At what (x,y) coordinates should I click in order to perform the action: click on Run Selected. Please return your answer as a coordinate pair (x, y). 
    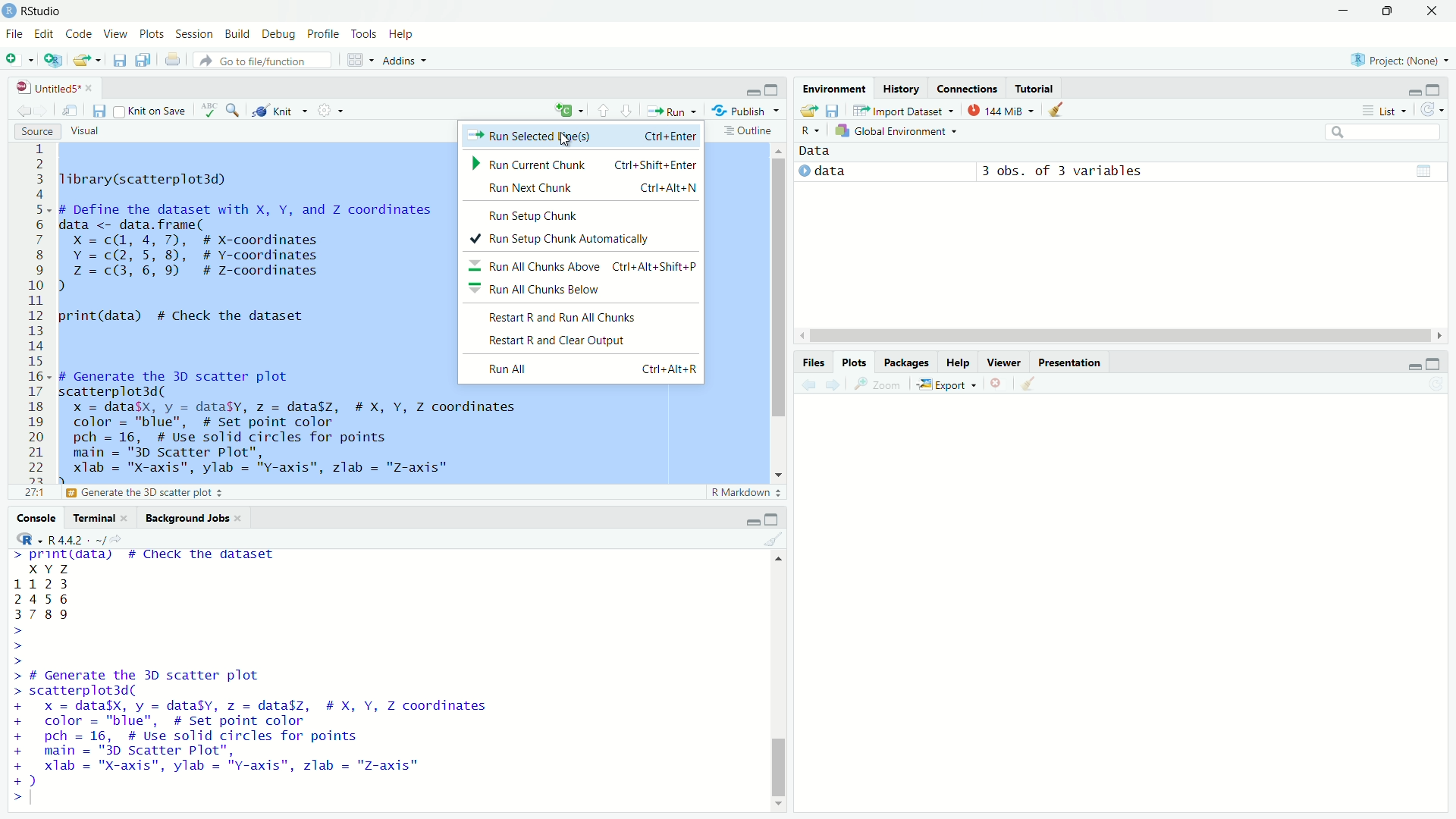
    Looking at the image, I should click on (582, 136).